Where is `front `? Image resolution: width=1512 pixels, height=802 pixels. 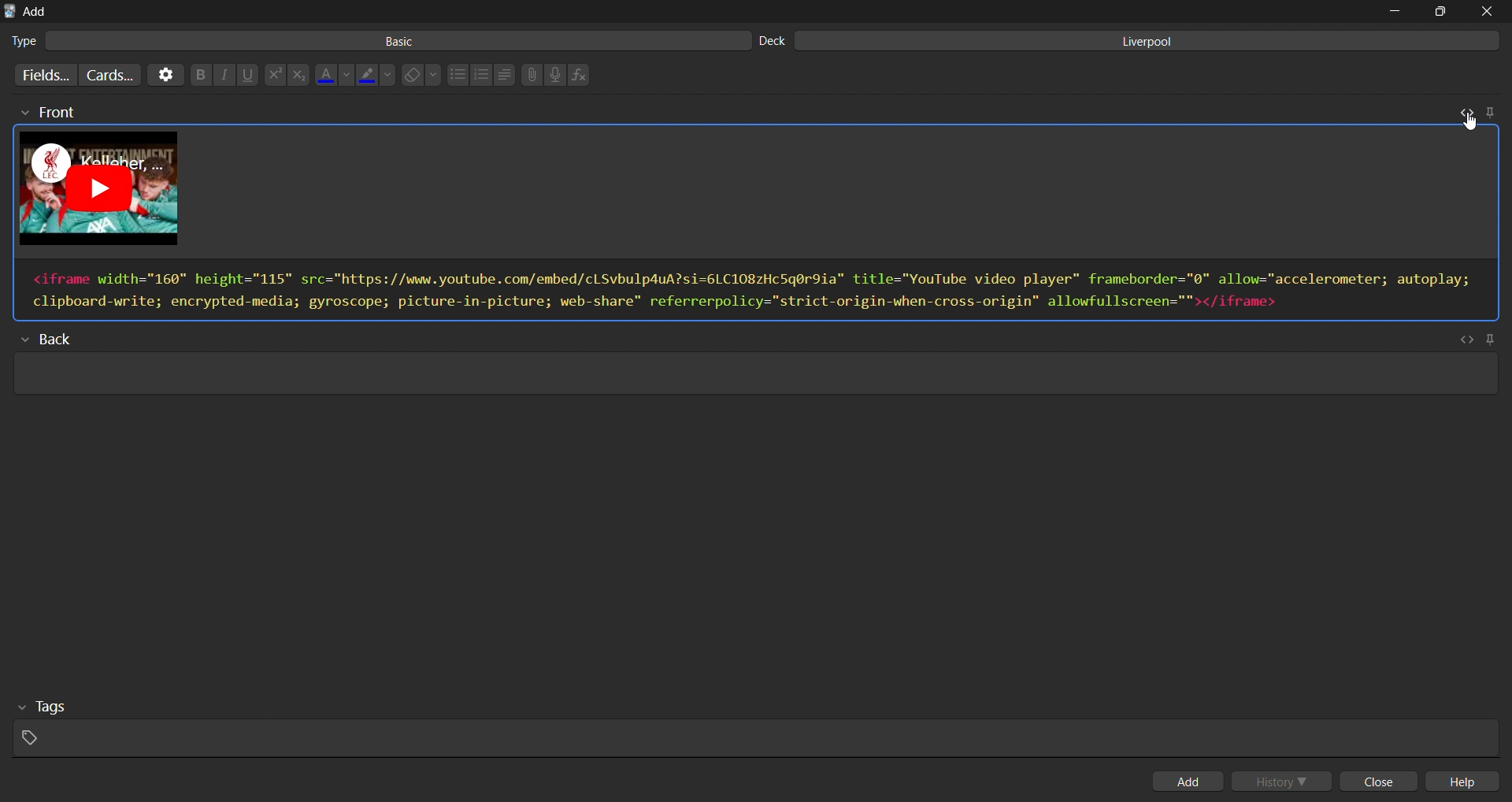
front  is located at coordinates (46, 113).